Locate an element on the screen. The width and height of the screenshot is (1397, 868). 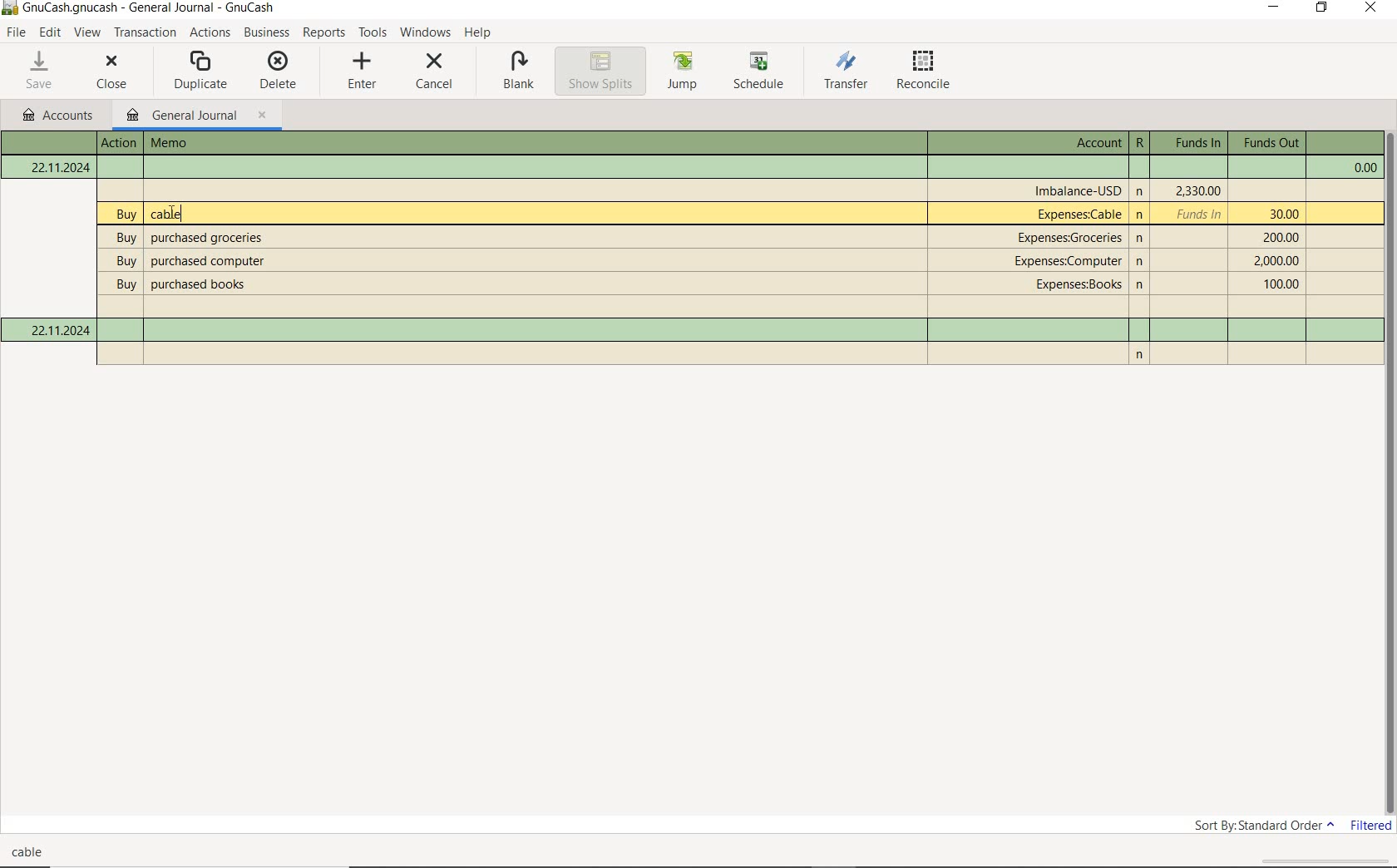
ACCOUNTS is located at coordinates (56, 116).